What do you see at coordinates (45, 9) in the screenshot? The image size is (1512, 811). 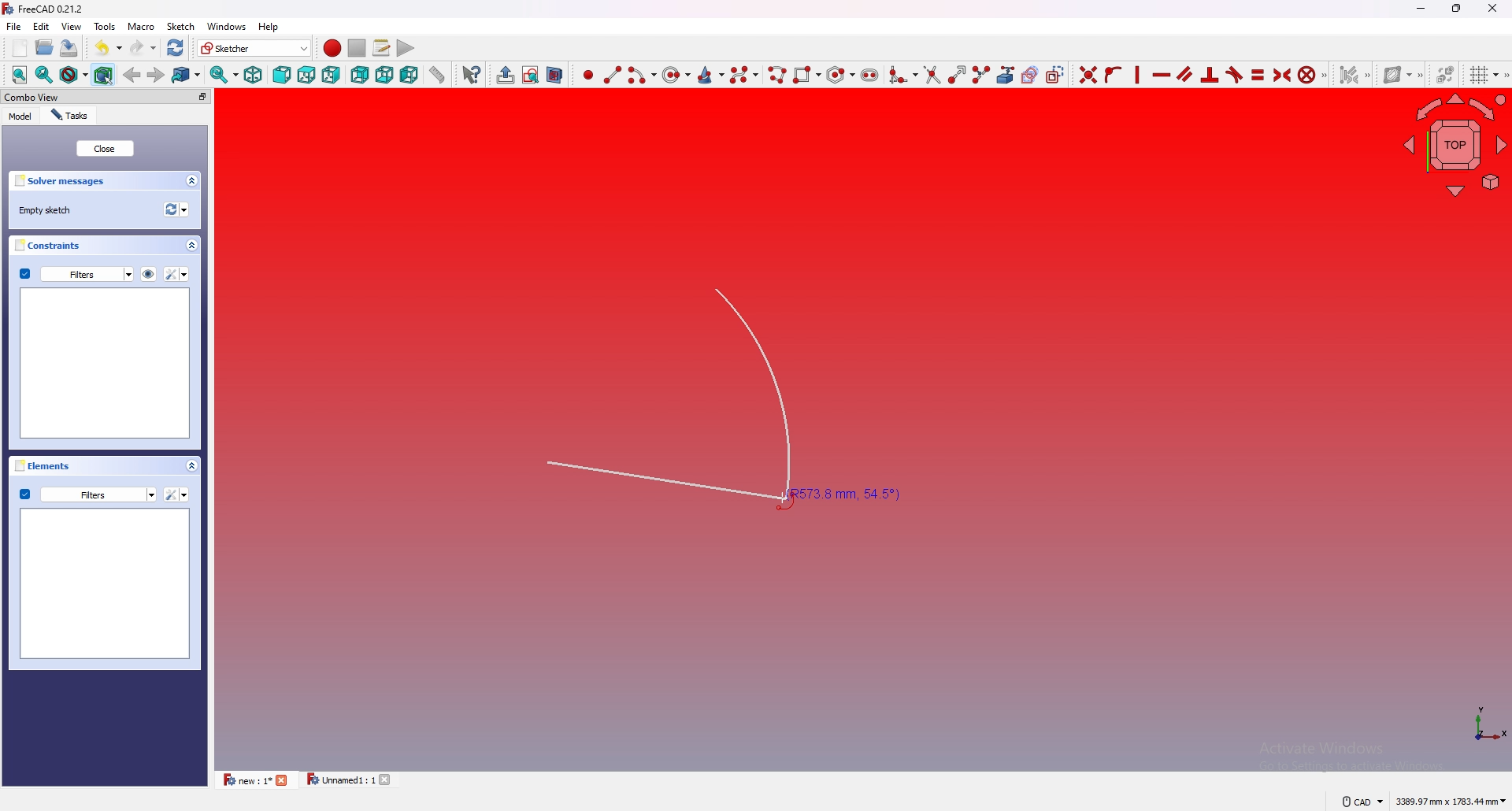 I see `FreeCAD 0.21.2` at bounding box center [45, 9].